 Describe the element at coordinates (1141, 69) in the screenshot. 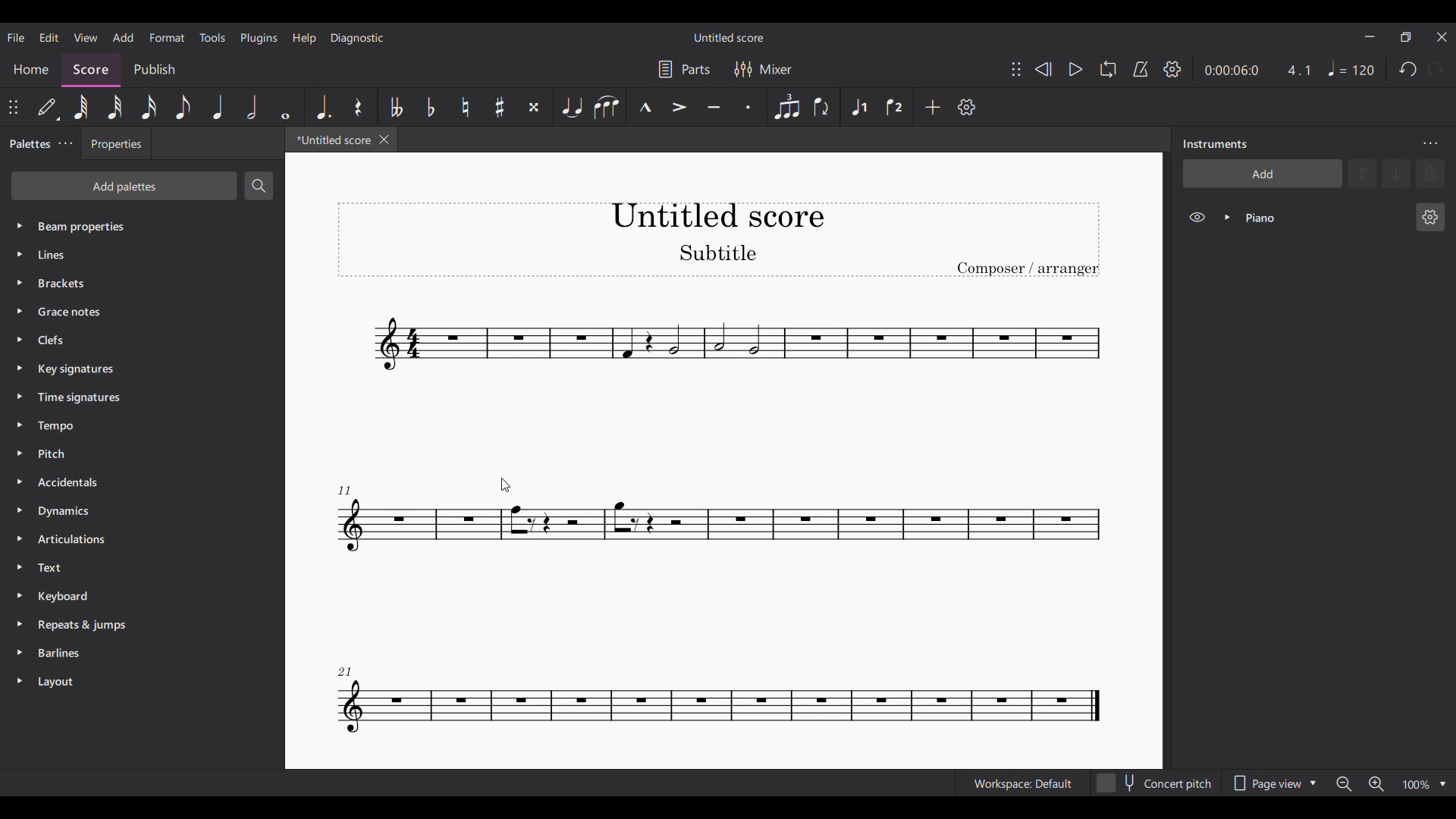

I see `Metronome` at that location.